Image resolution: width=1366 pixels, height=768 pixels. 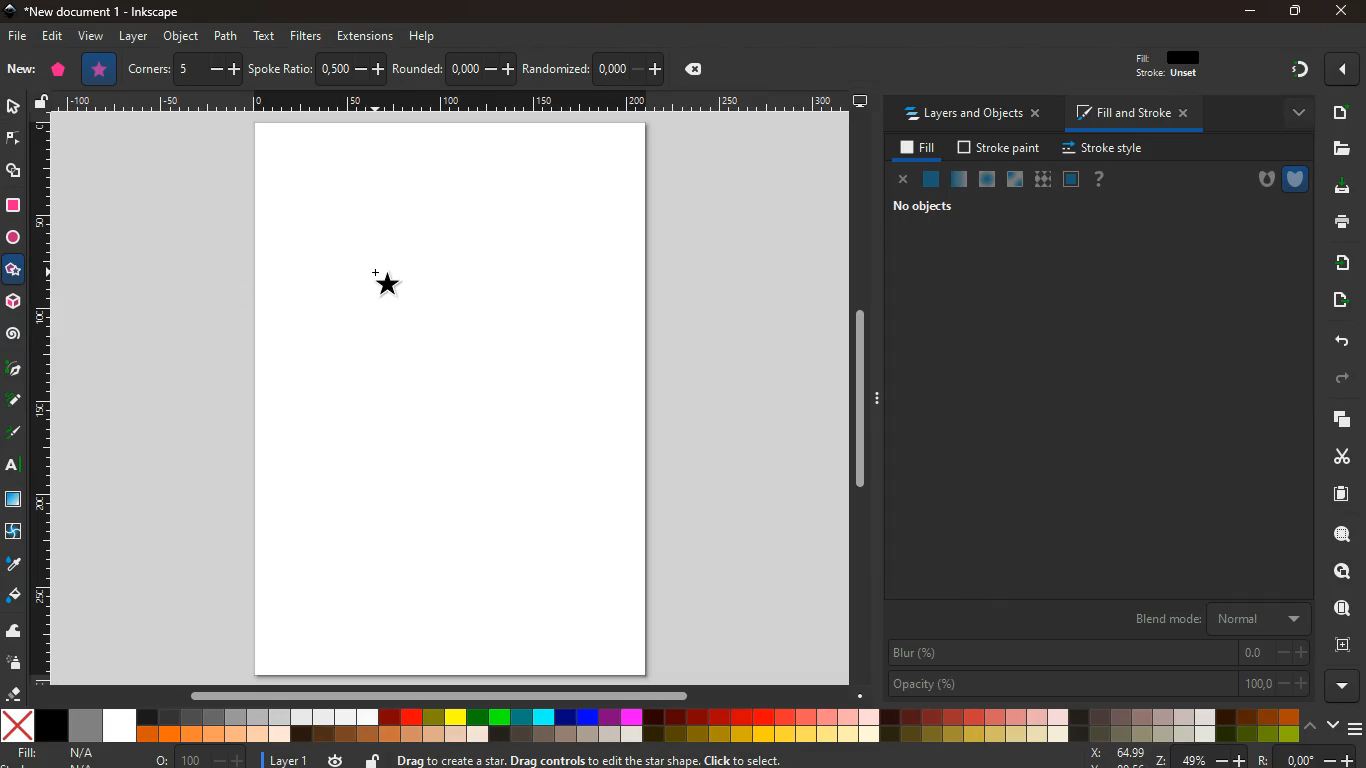 What do you see at coordinates (863, 402) in the screenshot?
I see `Vertical scroll bar` at bounding box center [863, 402].